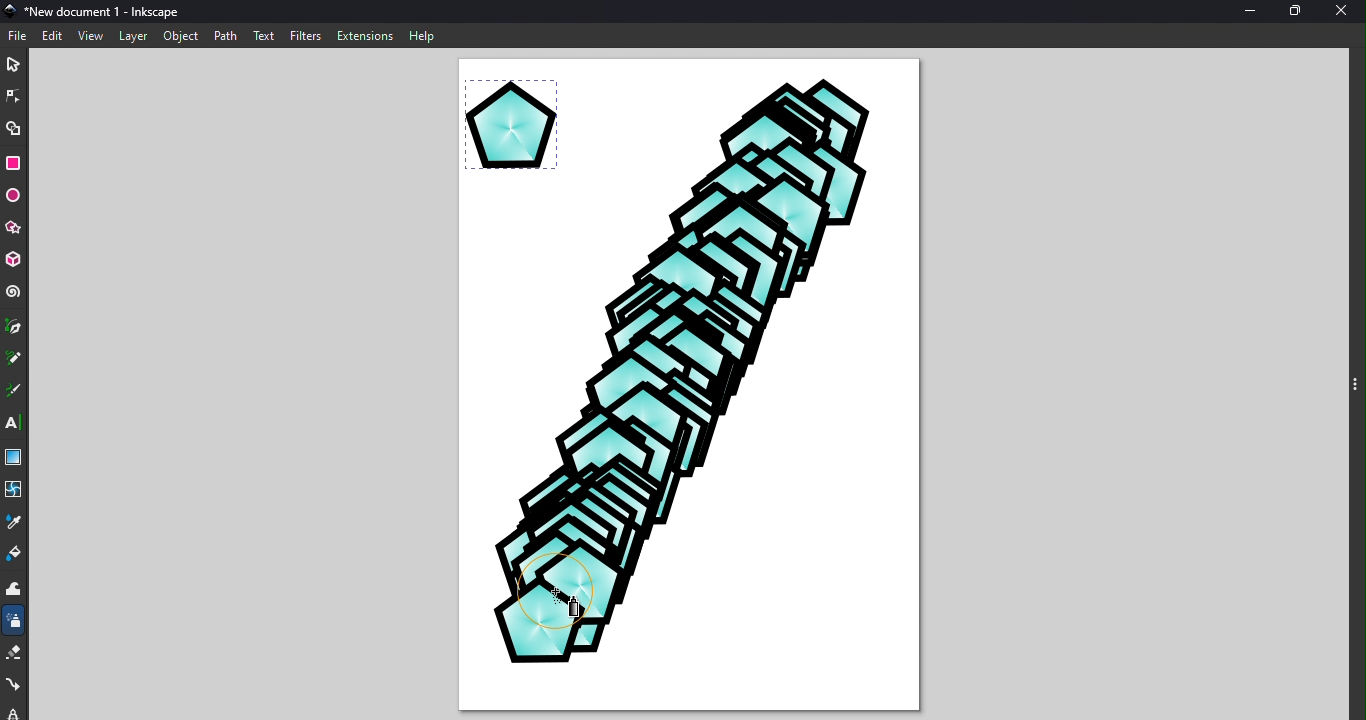 This screenshot has height=720, width=1366. I want to click on Help, so click(422, 35).